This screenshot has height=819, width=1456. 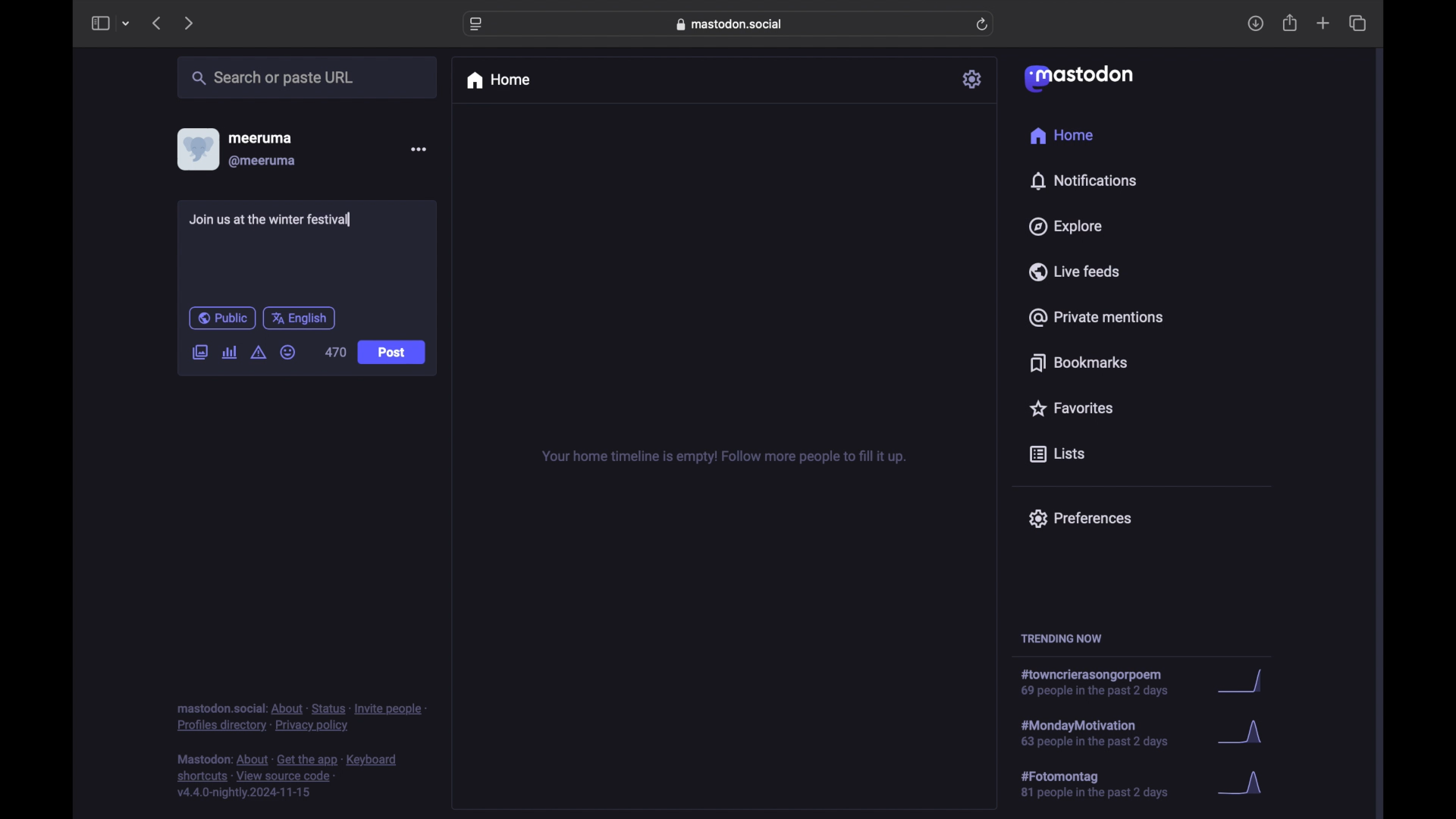 I want to click on settings, so click(x=974, y=79).